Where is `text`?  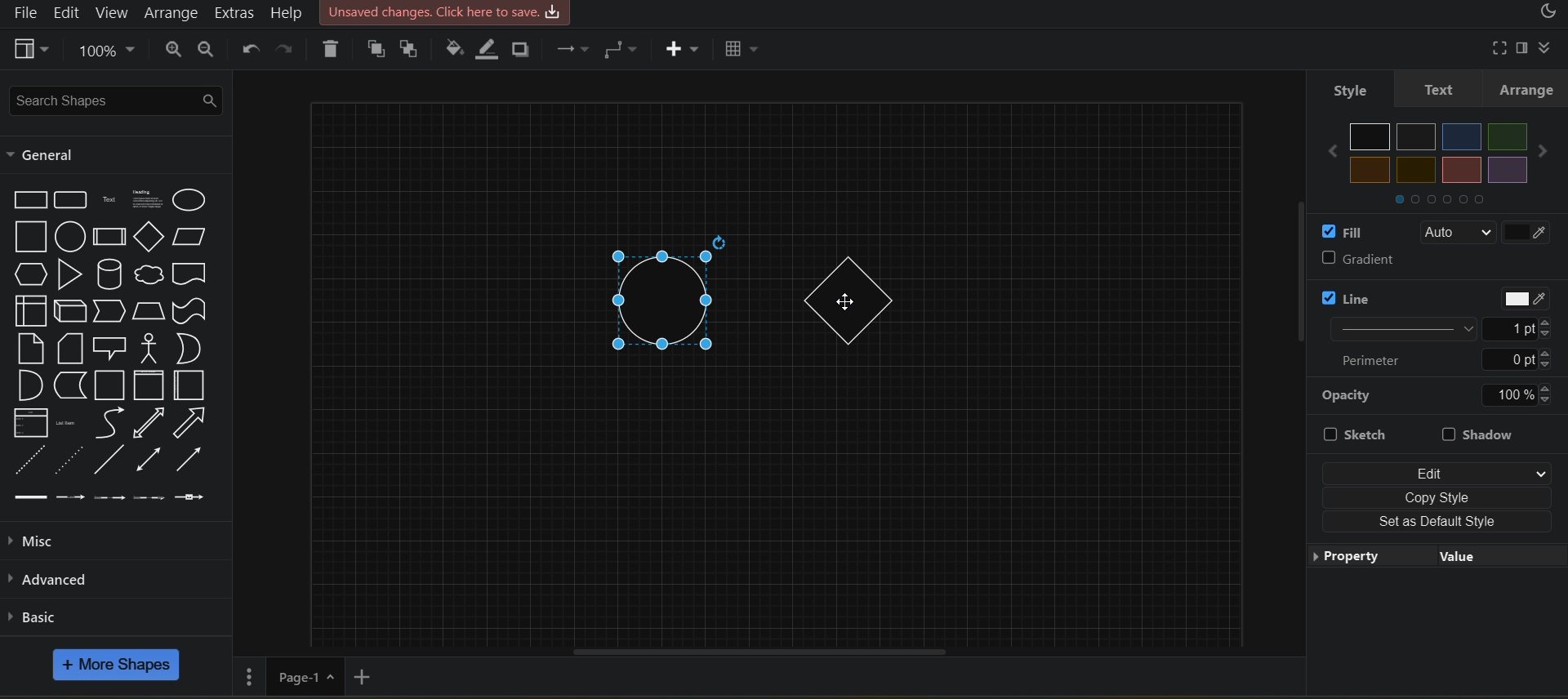
text is located at coordinates (1433, 88).